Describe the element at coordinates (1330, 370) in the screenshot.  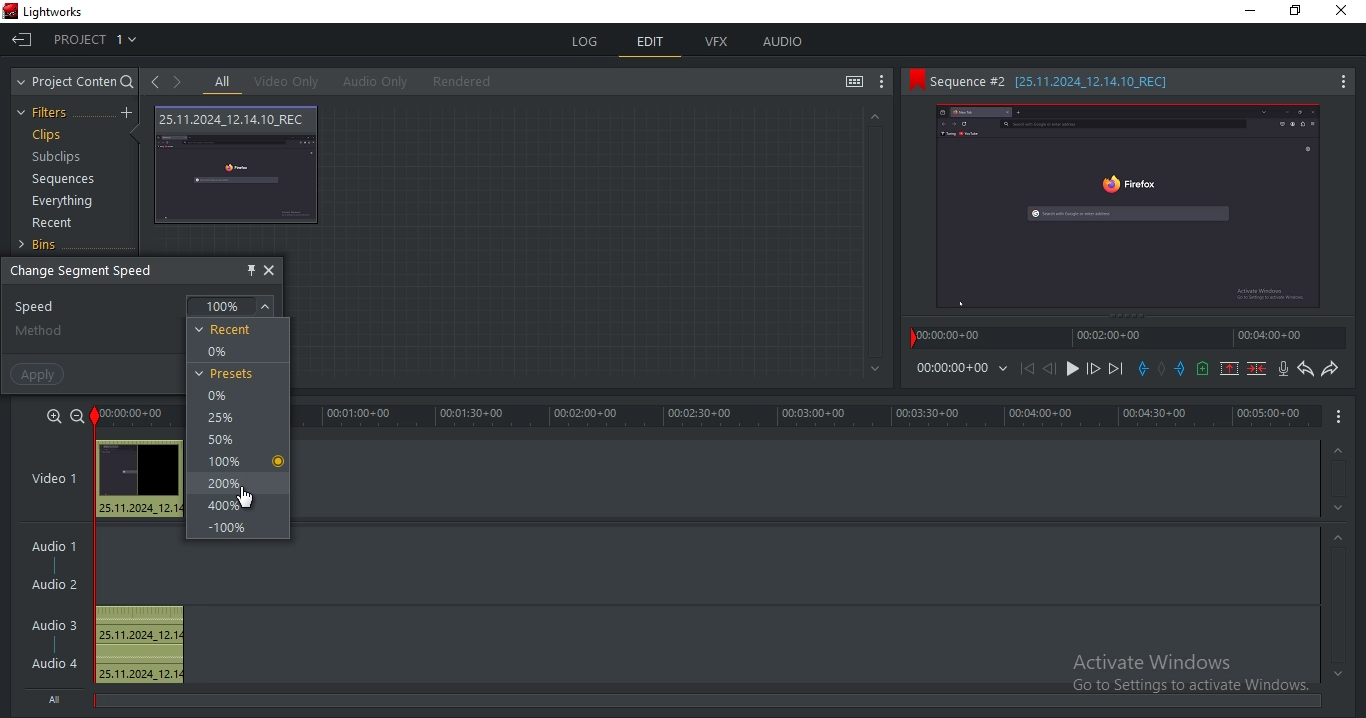
I see `redo` at that location.